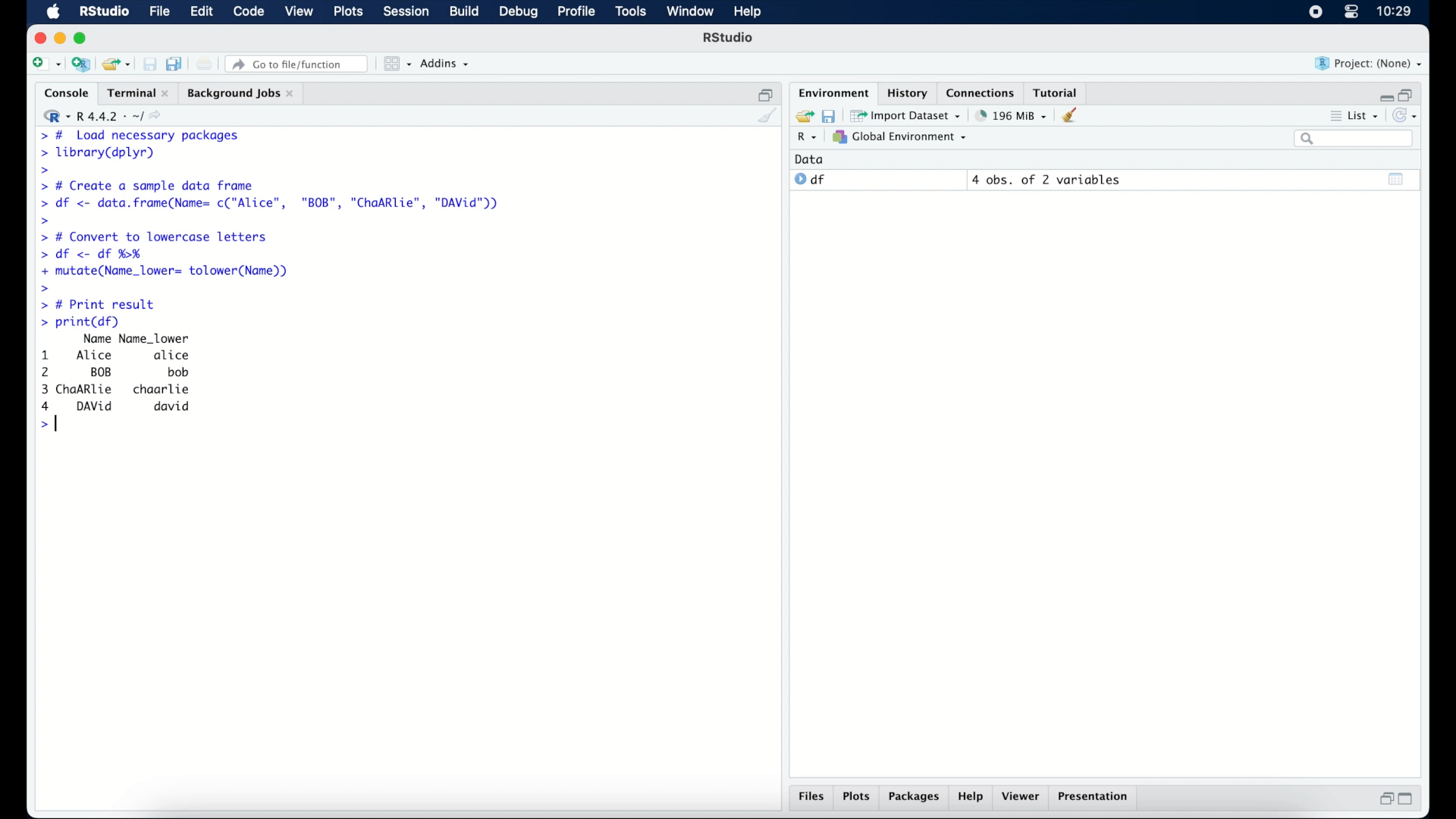 The image size is (1456, 819). What do you see at coordinates (971, 799) in the screenshot?
I see `help` at bounding box center [971, 799].